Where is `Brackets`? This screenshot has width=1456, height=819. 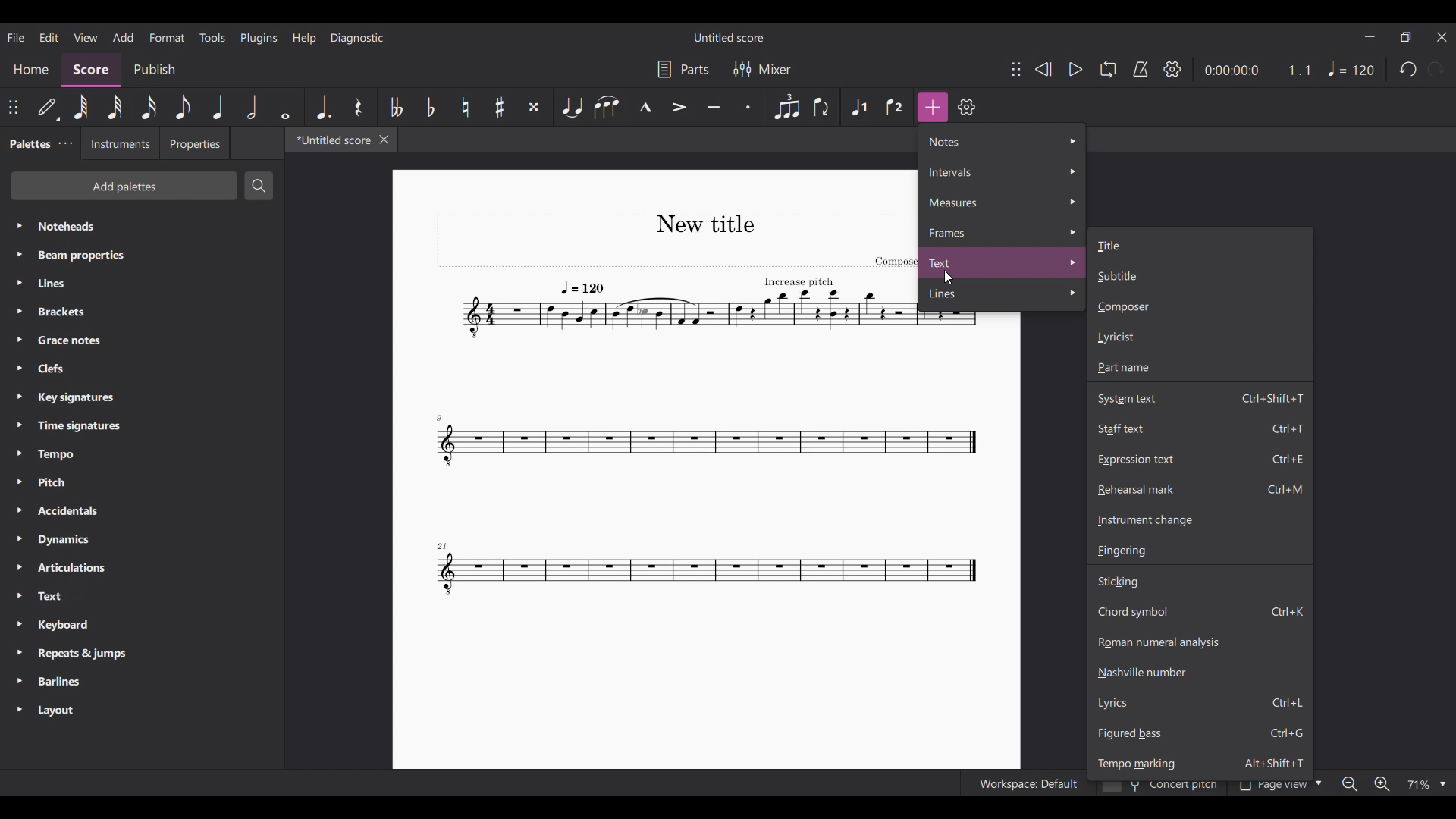
Brackets is located at coordinates (142, 312).